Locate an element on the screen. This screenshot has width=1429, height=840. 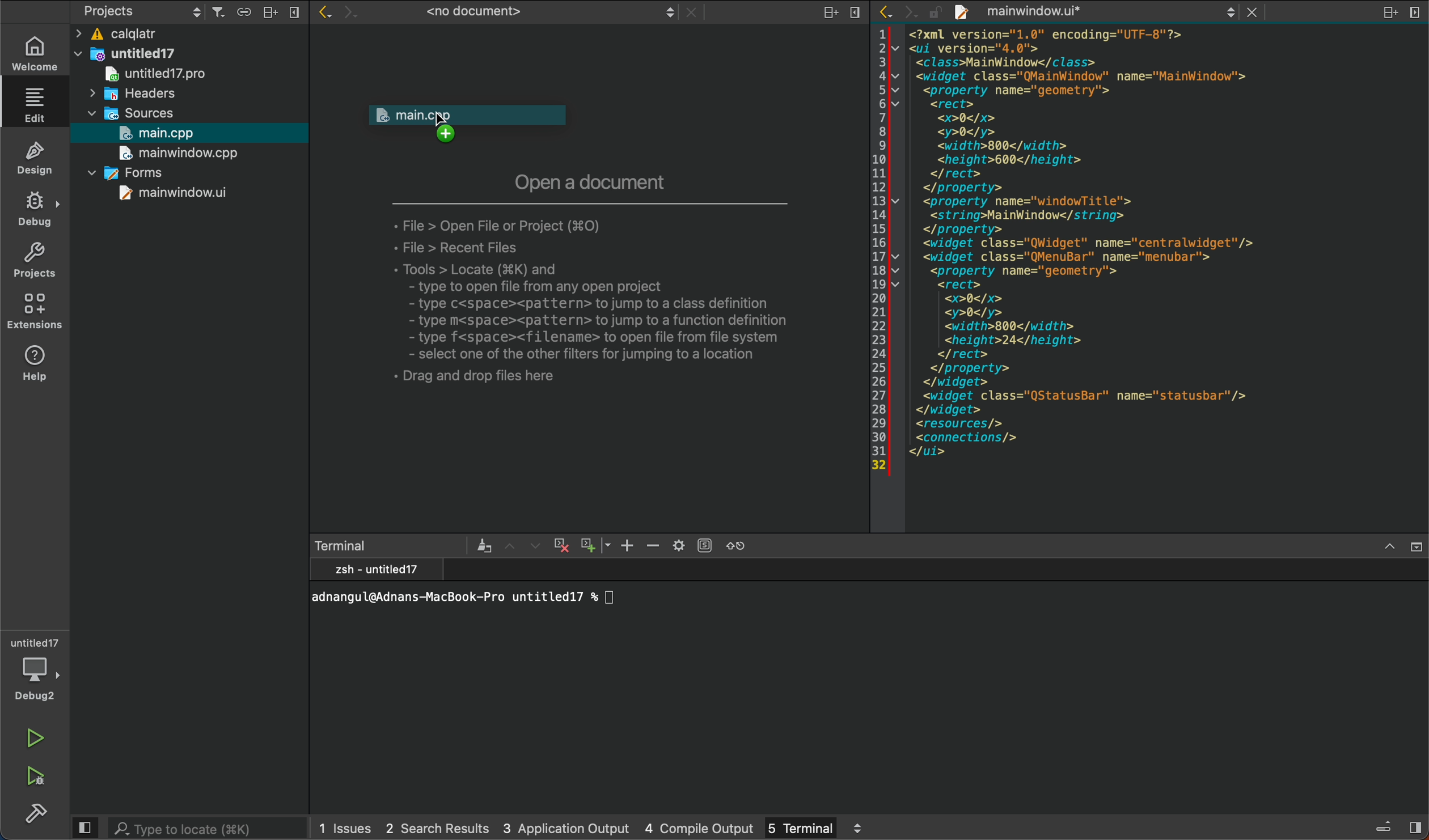
file content is located at coordinates (1162, 278).